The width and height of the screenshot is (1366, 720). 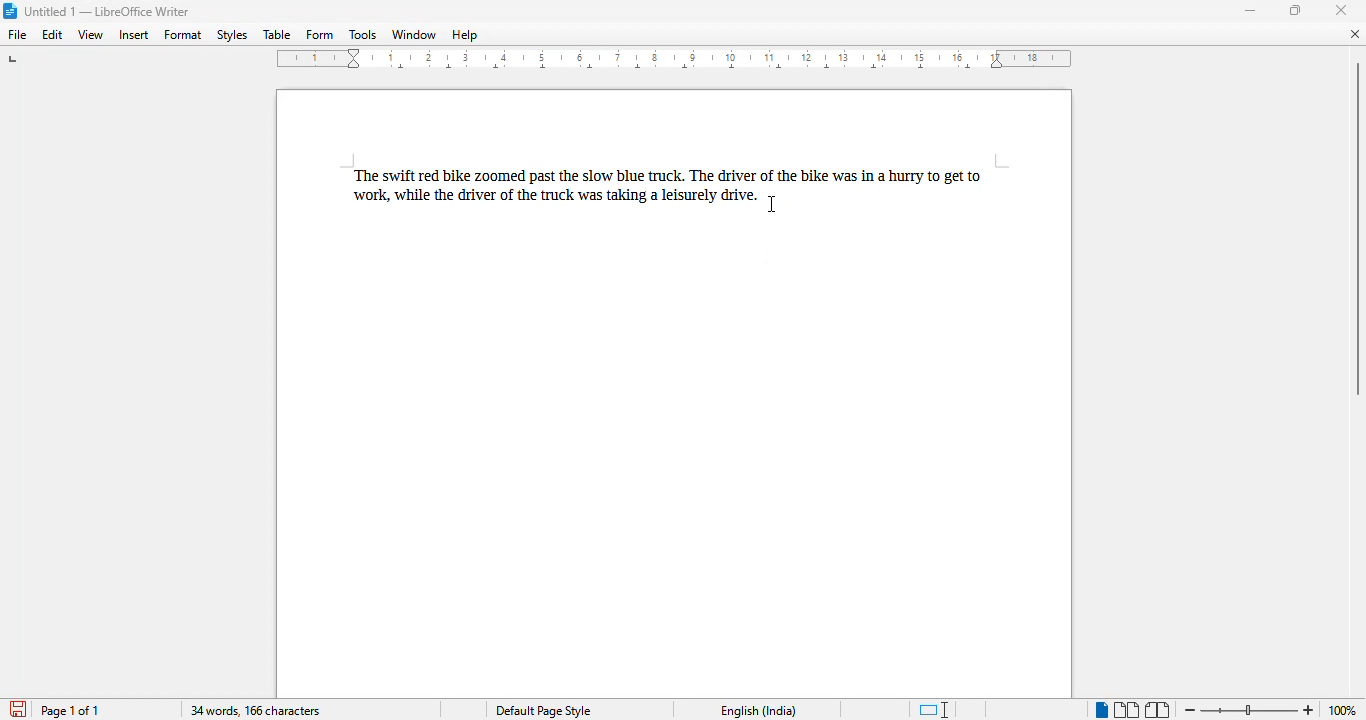 What do you see at coordinates (1356, 33) in the screenshot?
I see `close document` at bounding box center [1356, 33].